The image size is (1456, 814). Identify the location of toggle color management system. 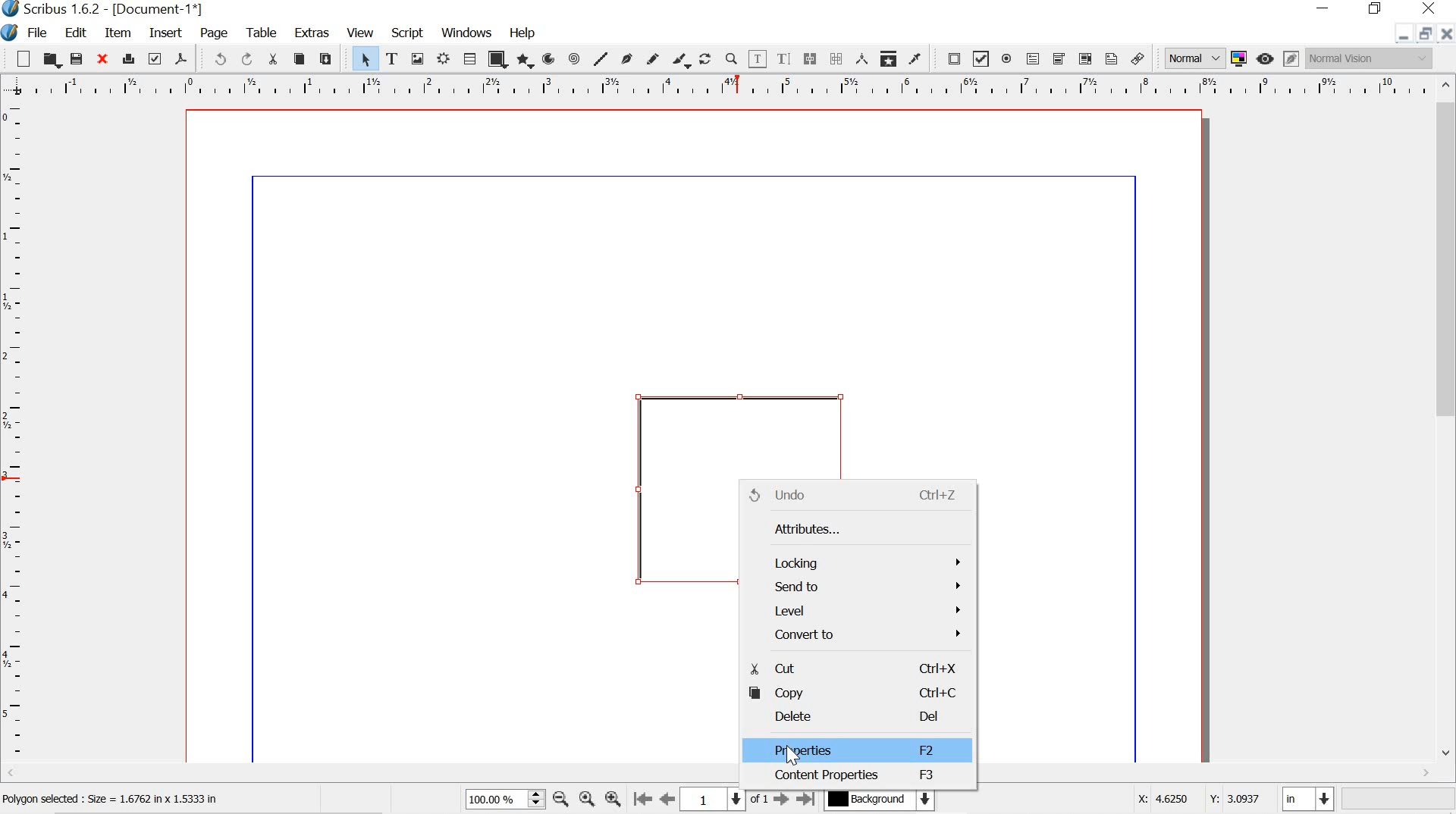
(1238, 58).